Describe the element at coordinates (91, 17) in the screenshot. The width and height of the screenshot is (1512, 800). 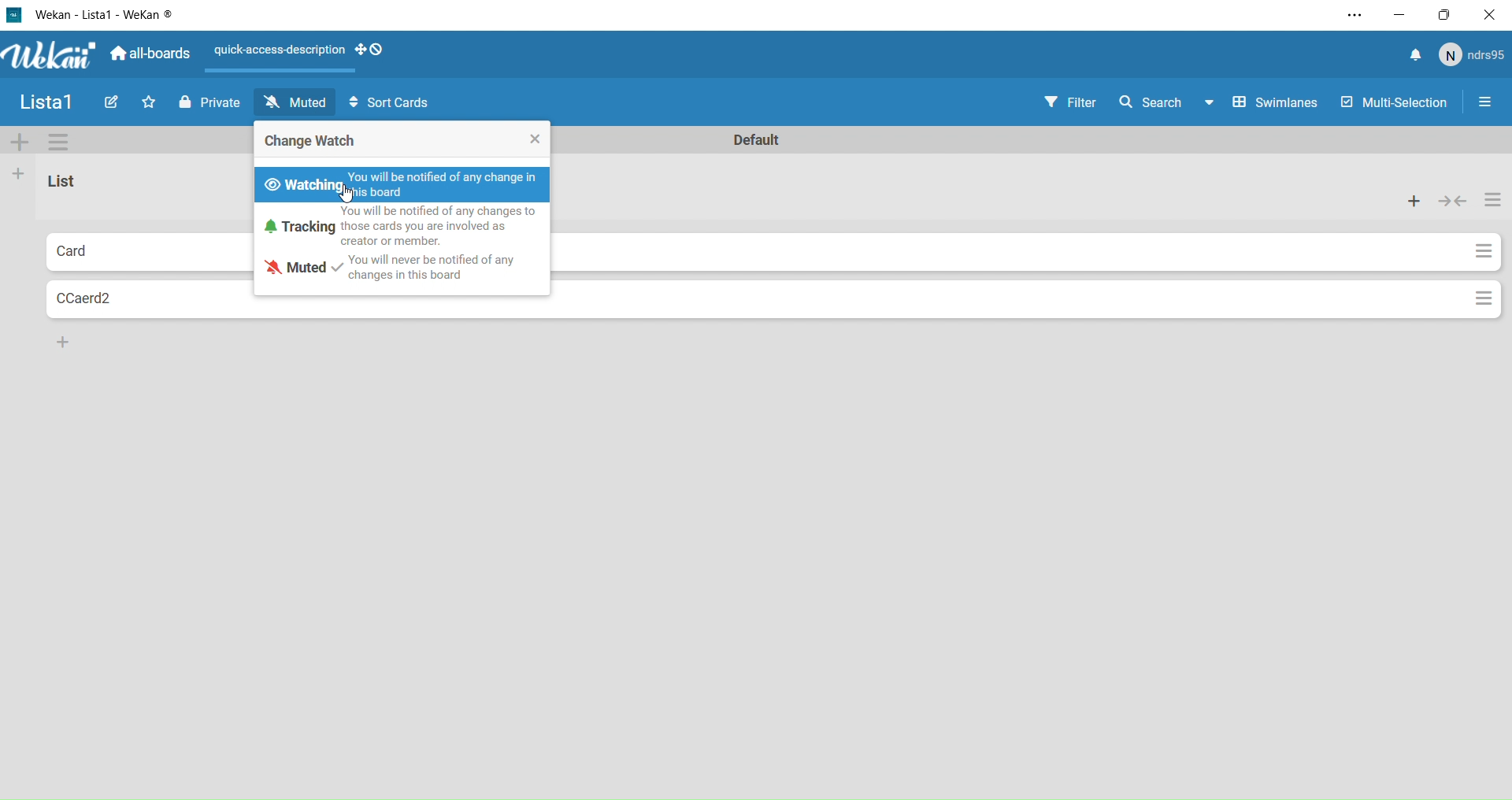
I see `Wekan` at that location.